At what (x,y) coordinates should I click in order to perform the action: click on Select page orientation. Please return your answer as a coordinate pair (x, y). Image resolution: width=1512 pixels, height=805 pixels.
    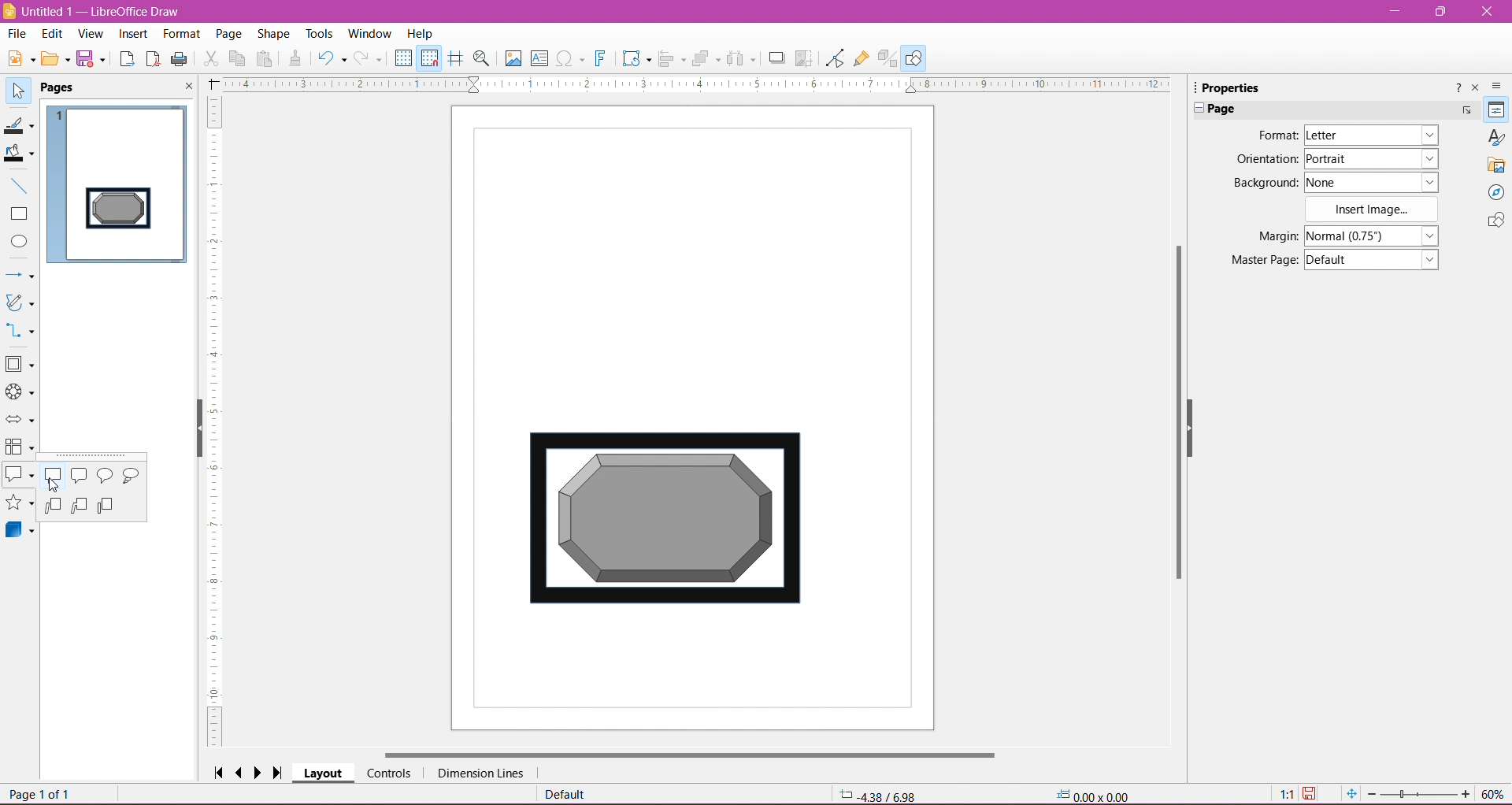
    Looking at the image, I should click on (1374, 158).